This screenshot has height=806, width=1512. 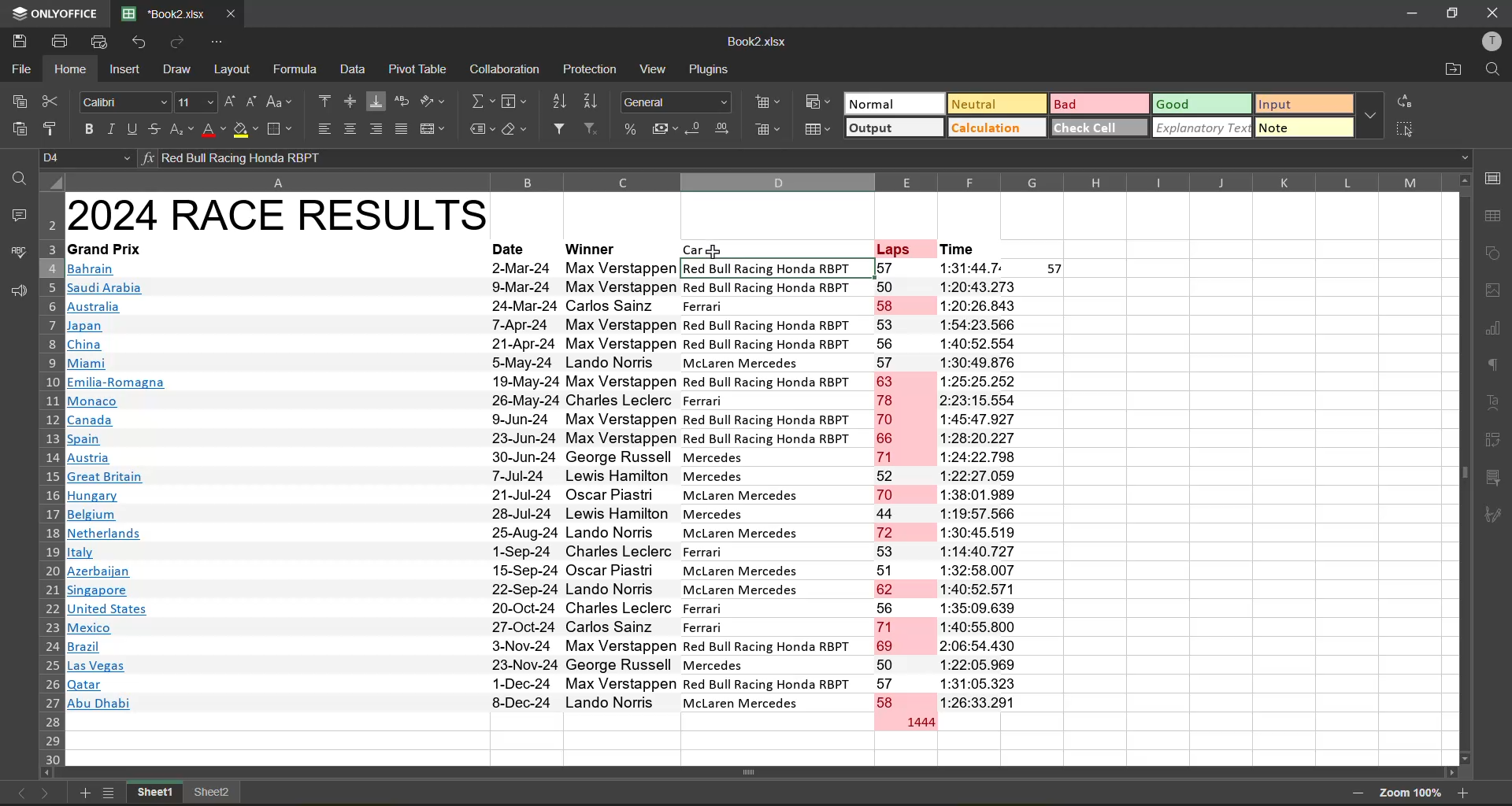 I want to click on align left, so click(x=324, y=128).